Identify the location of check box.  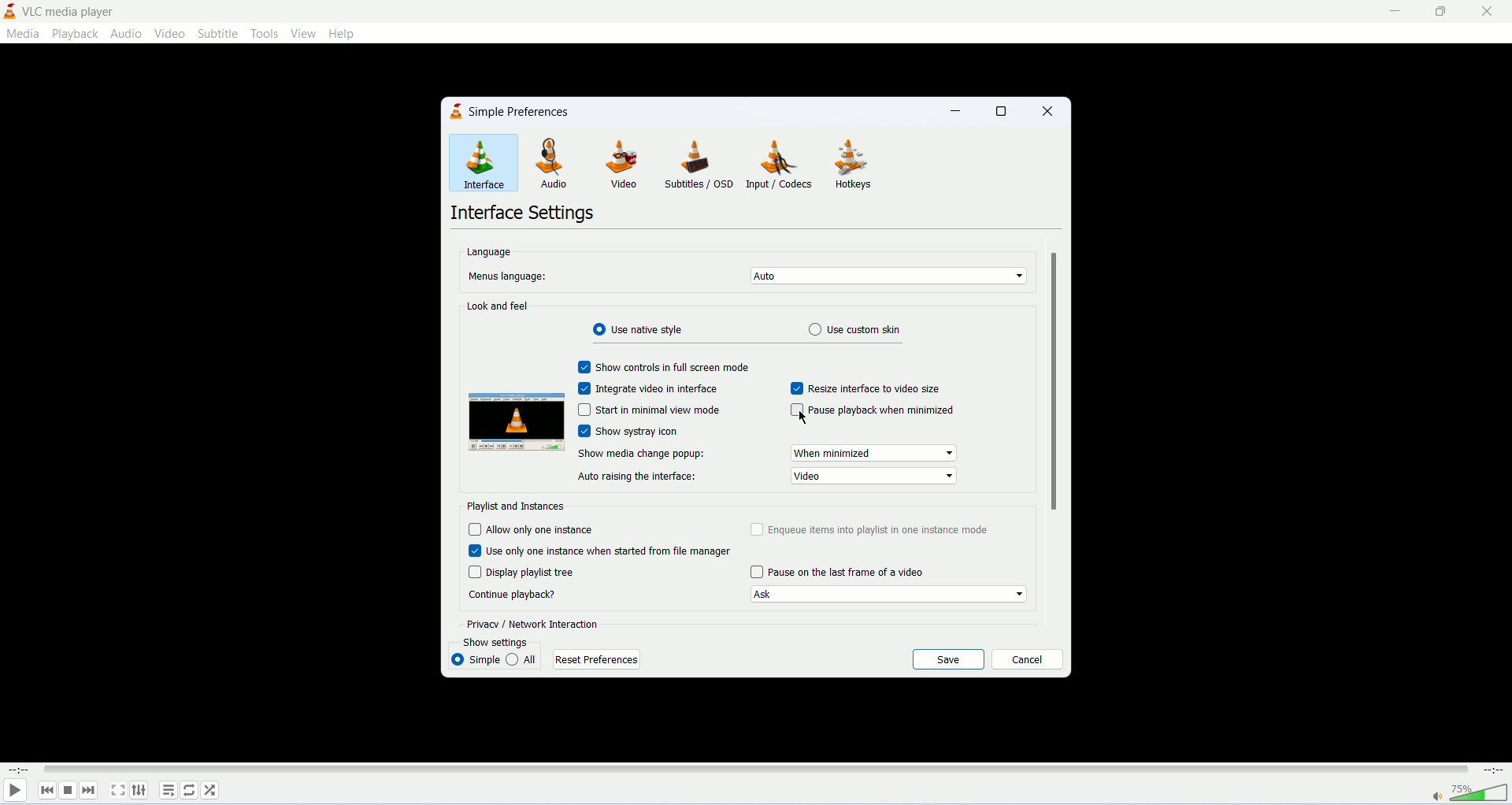
(757, 527).